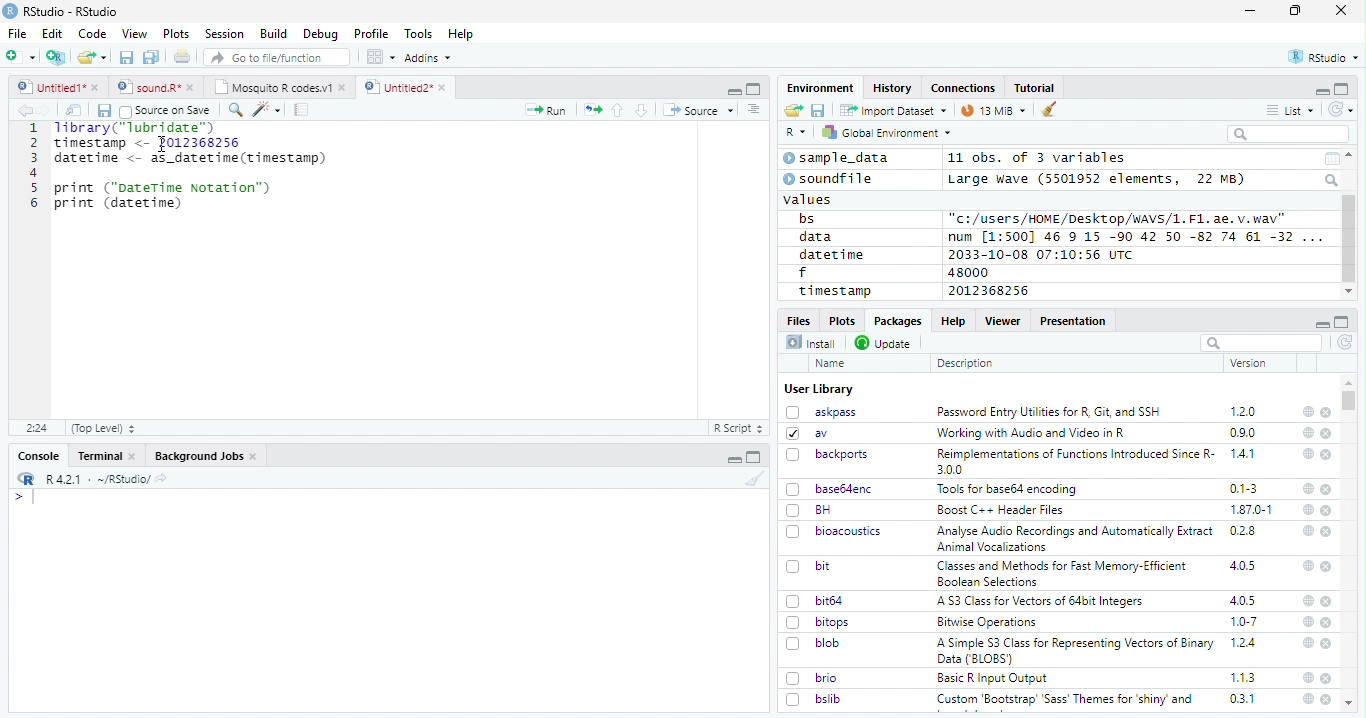 The image size is (1366, 718). What do you see at coordinates (265, 109) in the screenshot?
I see `Code tools` at bounding box center [265, 109].